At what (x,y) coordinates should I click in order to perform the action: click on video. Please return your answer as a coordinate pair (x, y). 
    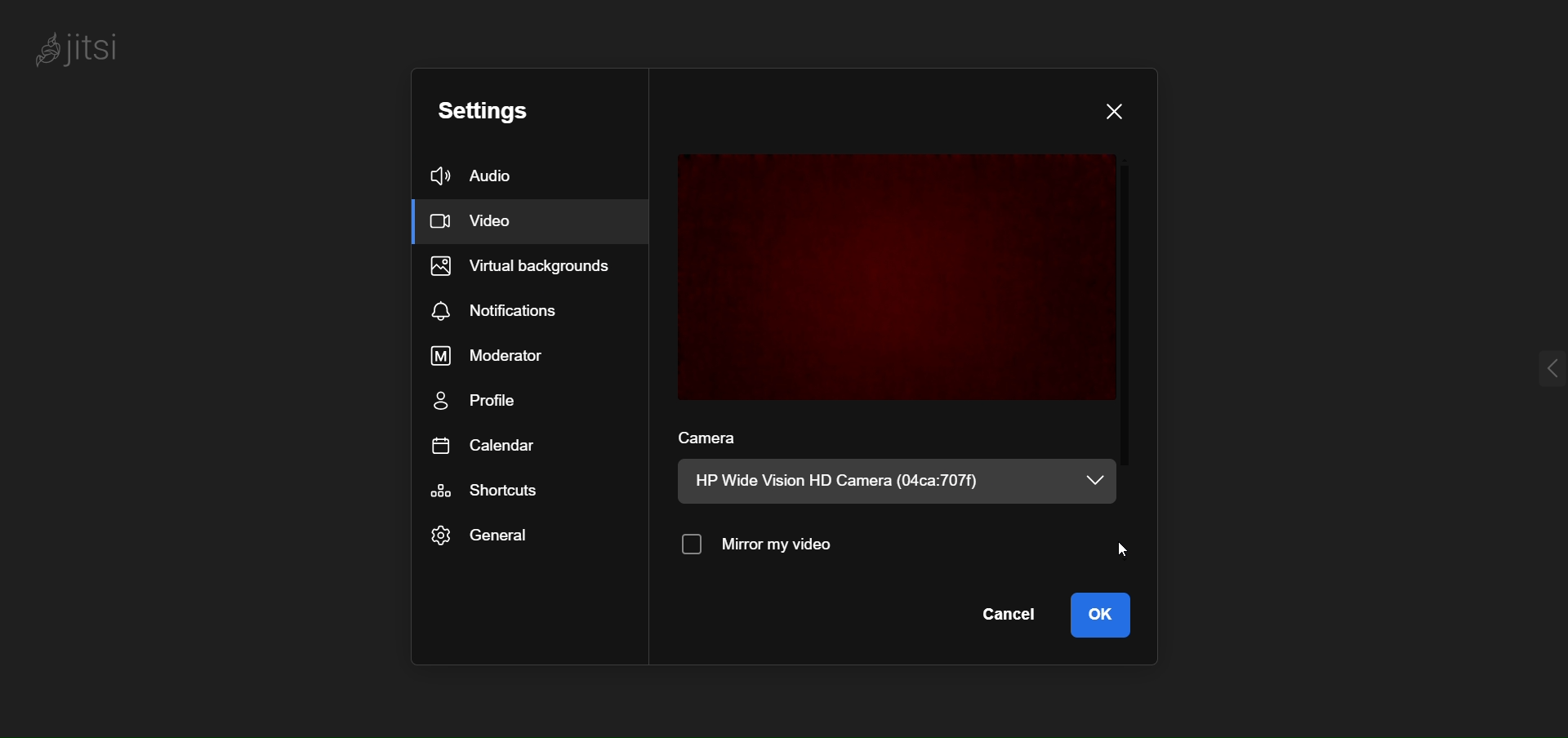
    Looking at the image, I should click on (490, 224).